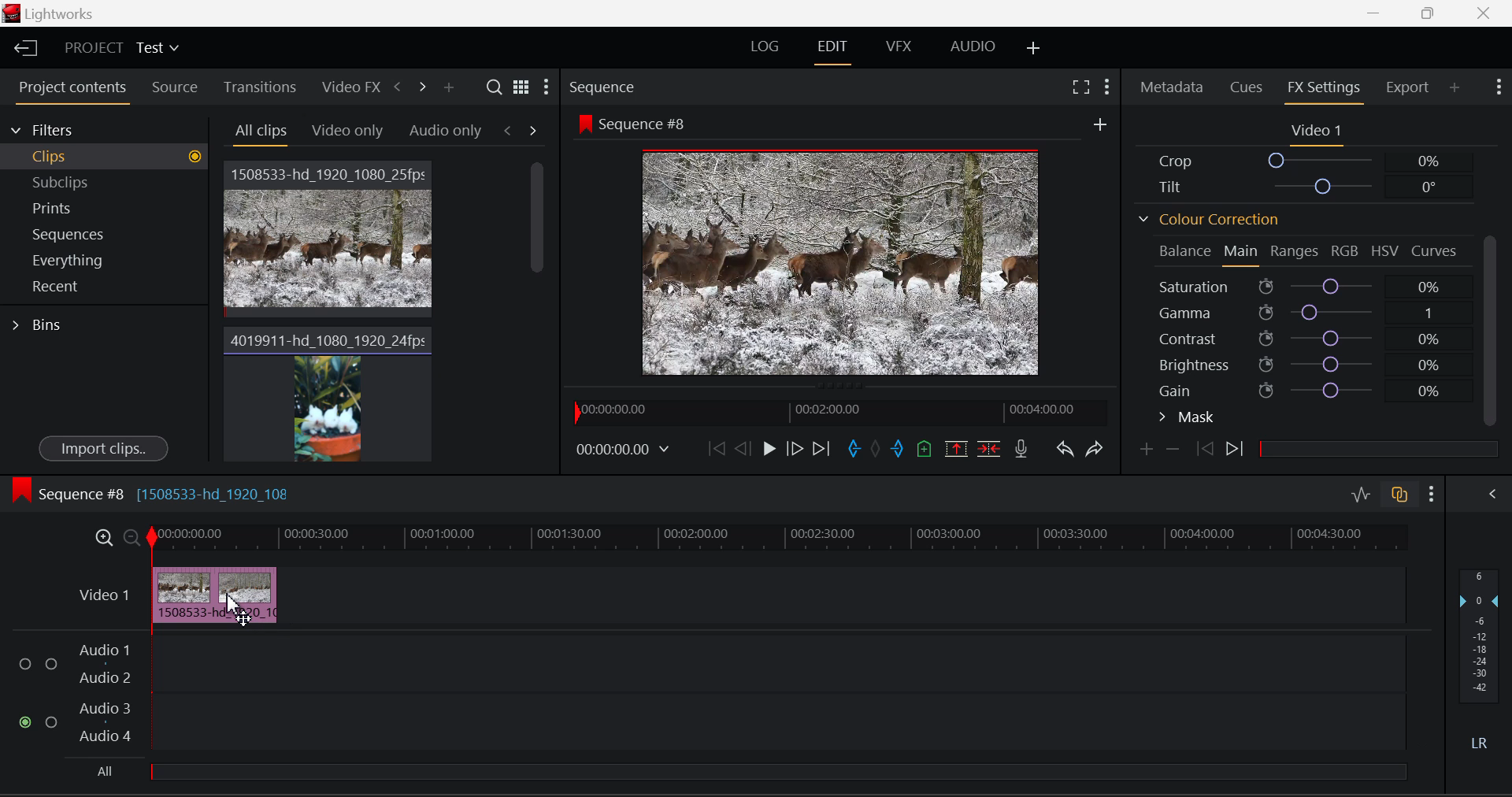  Describe the element at coordinates (1299, 187) in the screenshot. I see `Tilt` at that location.